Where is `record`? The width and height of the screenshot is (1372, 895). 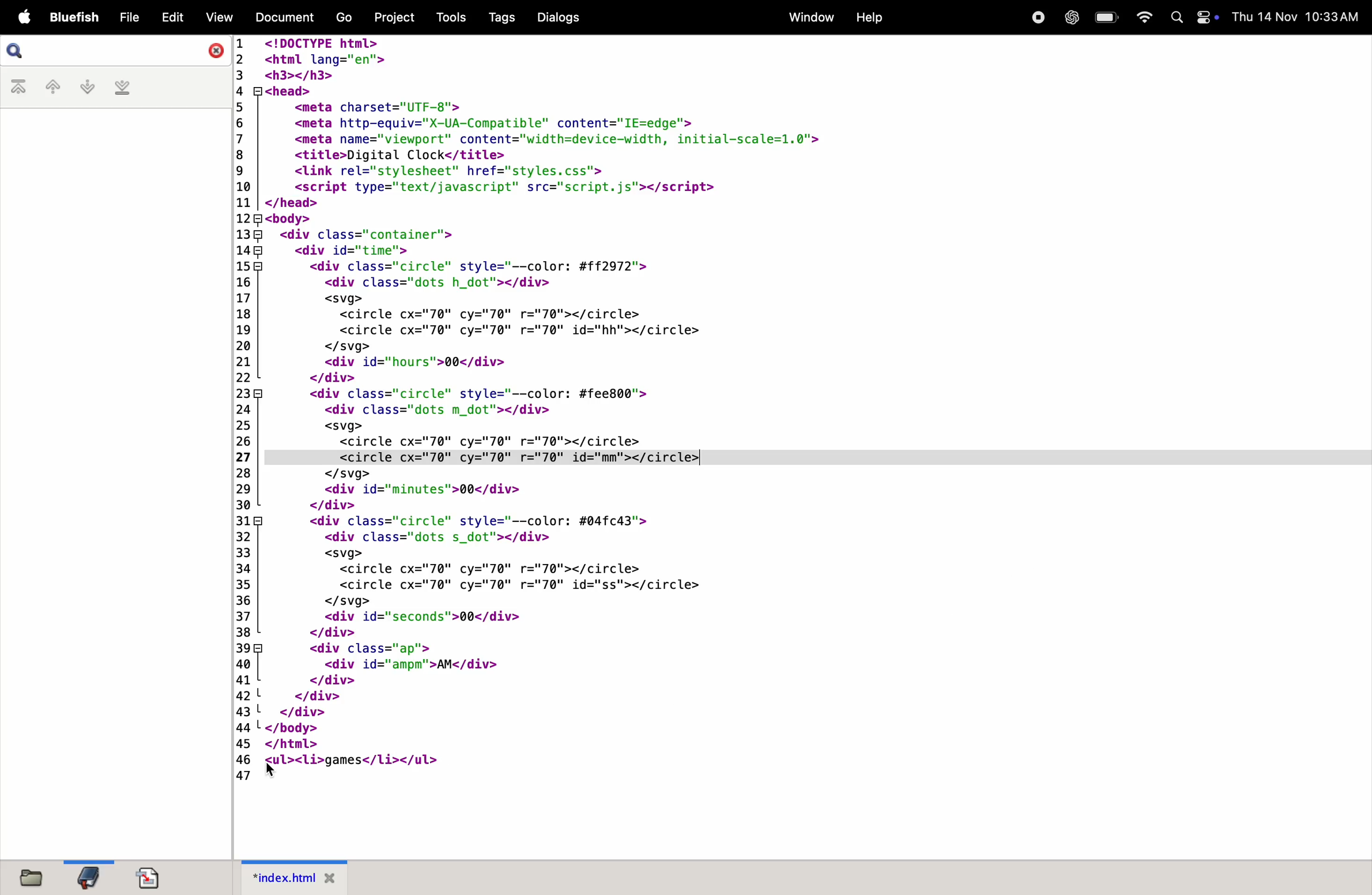 record is located at coordinates (1037, 18).